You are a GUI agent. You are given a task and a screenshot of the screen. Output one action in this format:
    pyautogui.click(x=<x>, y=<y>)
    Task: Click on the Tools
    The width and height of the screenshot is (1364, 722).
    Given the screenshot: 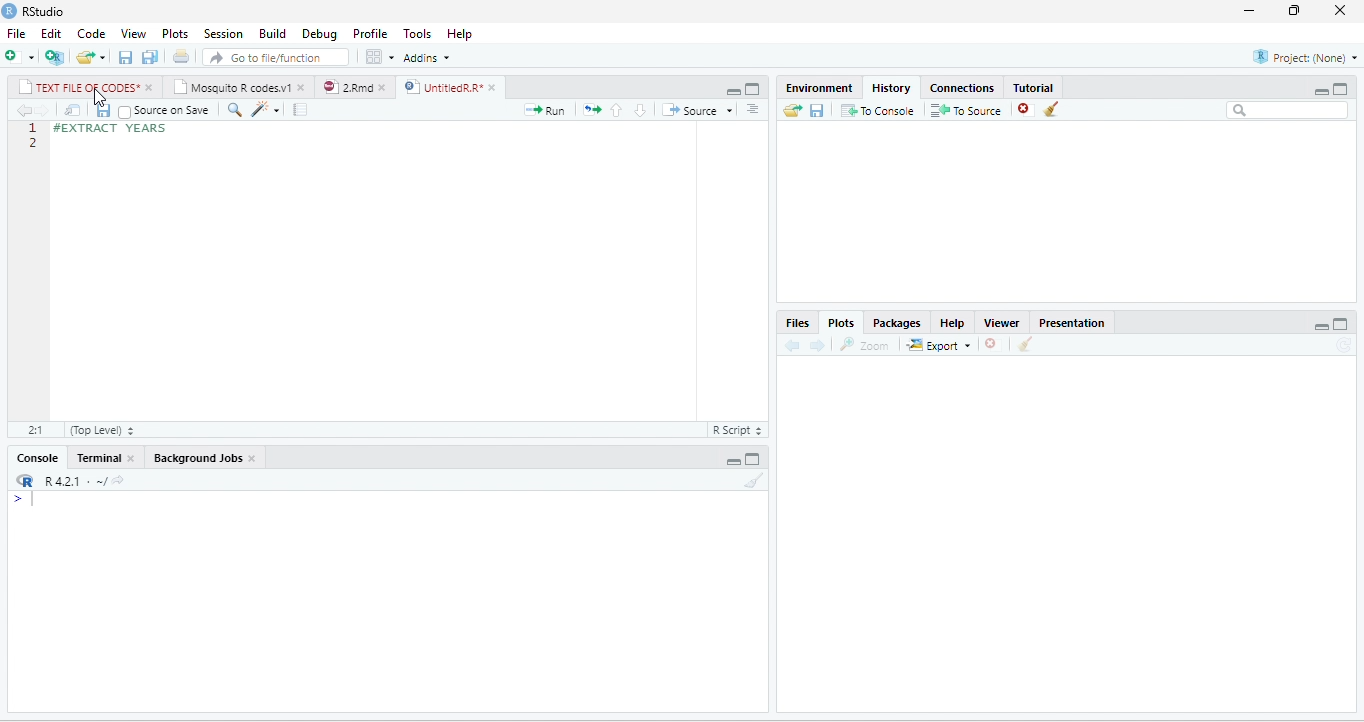 What is the action you would take?
    pyautogui.click(x=419, y=34)
    